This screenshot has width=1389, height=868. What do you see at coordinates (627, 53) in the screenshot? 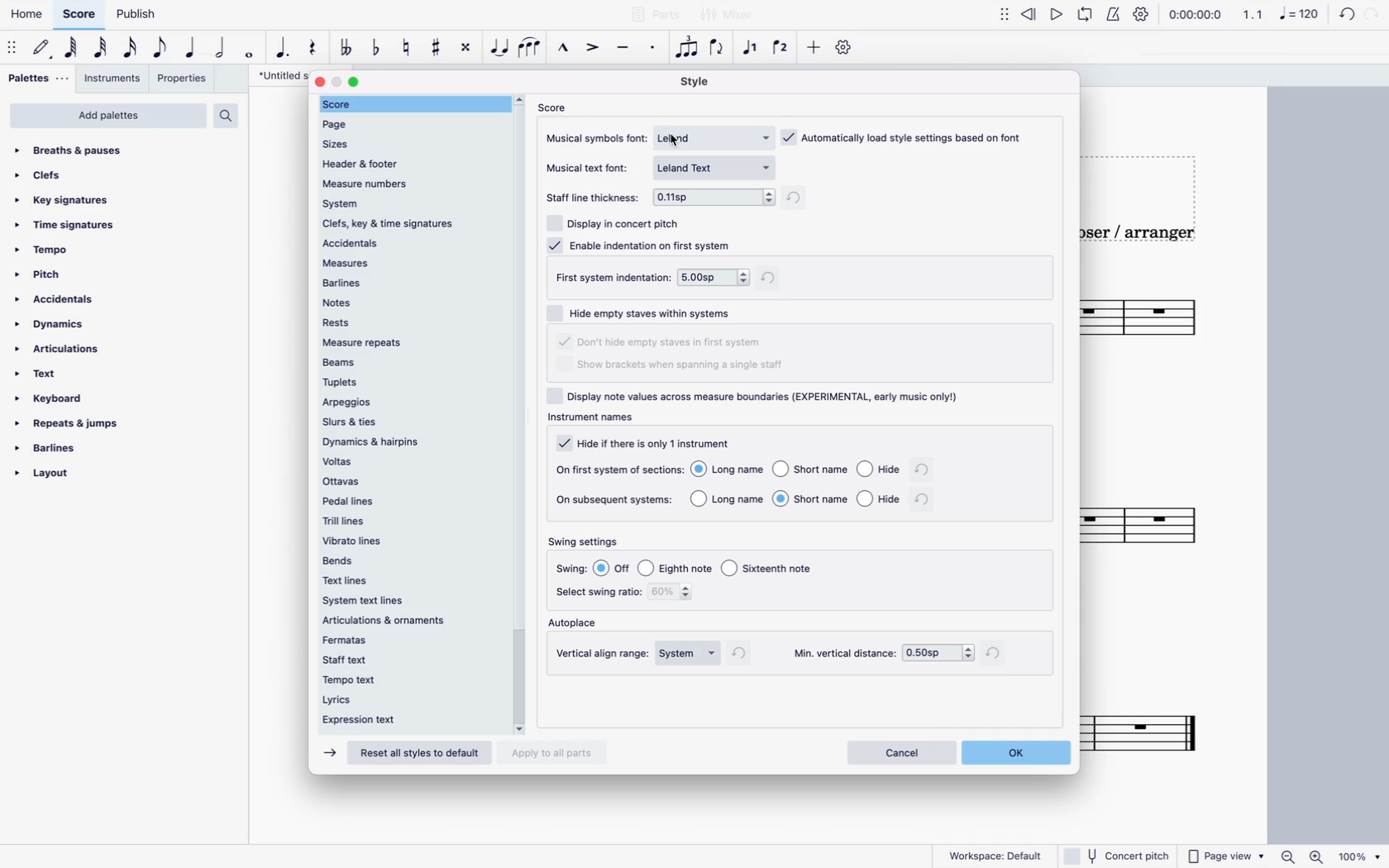
I see `tenuto` at bounding box center [627, 53].